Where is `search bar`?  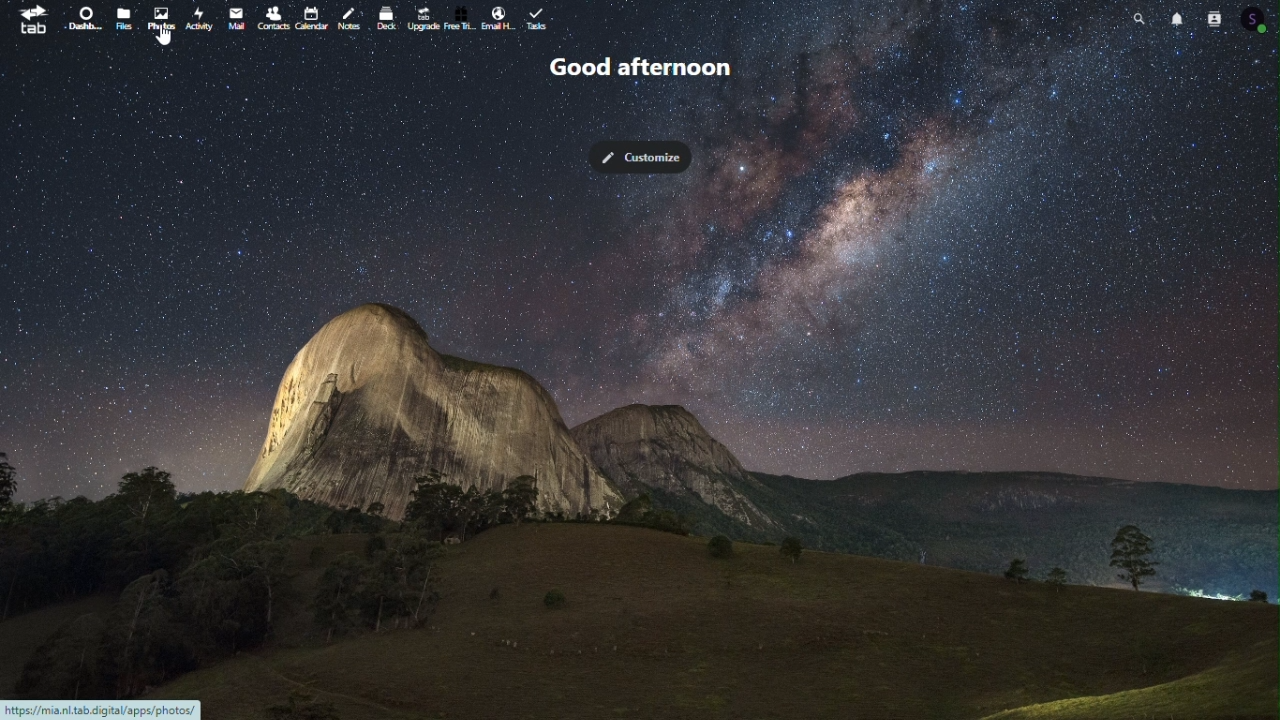
search bar is located at coordinates (1143, 19).